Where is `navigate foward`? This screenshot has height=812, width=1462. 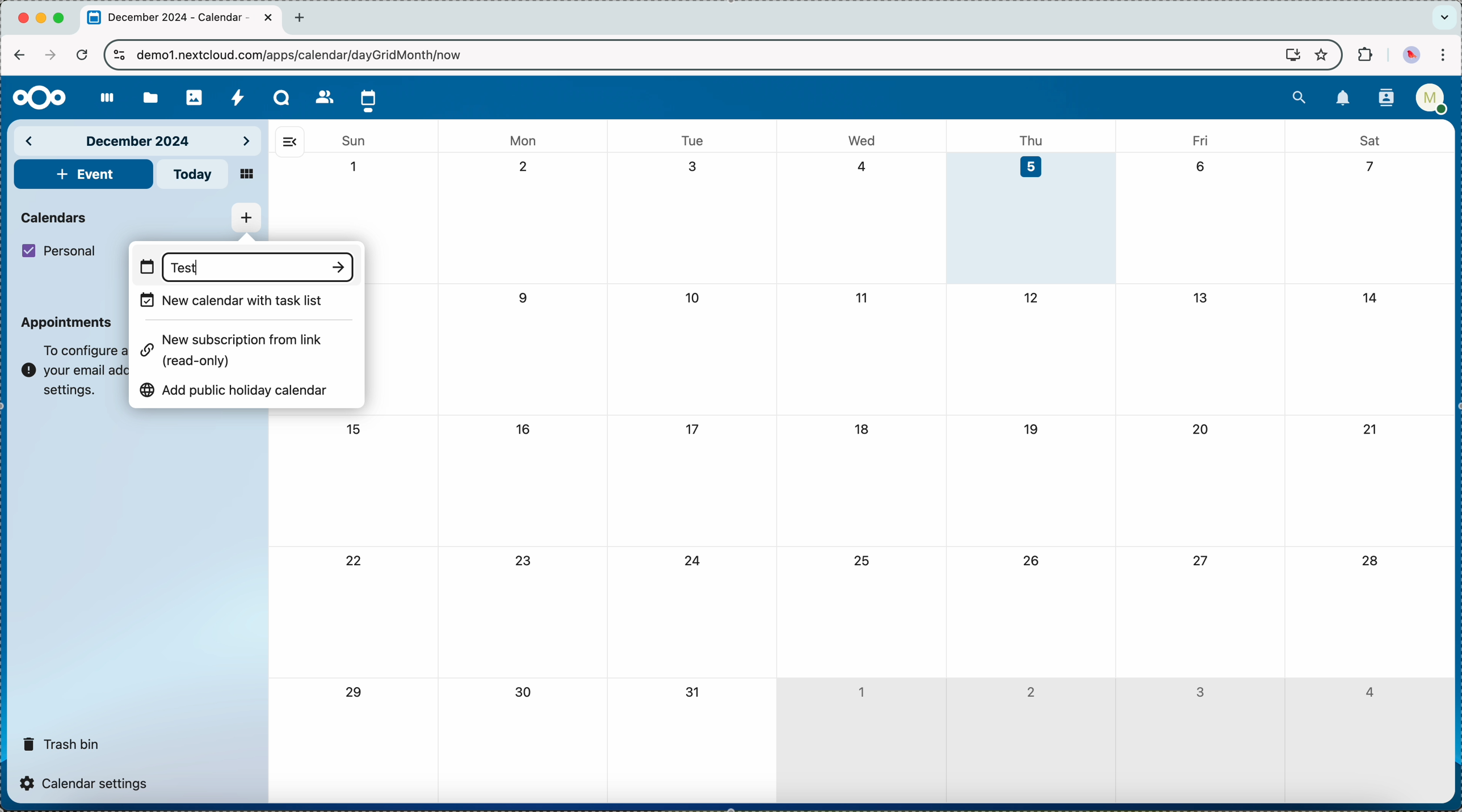
navigate foward is located at coordinates (48, 55).